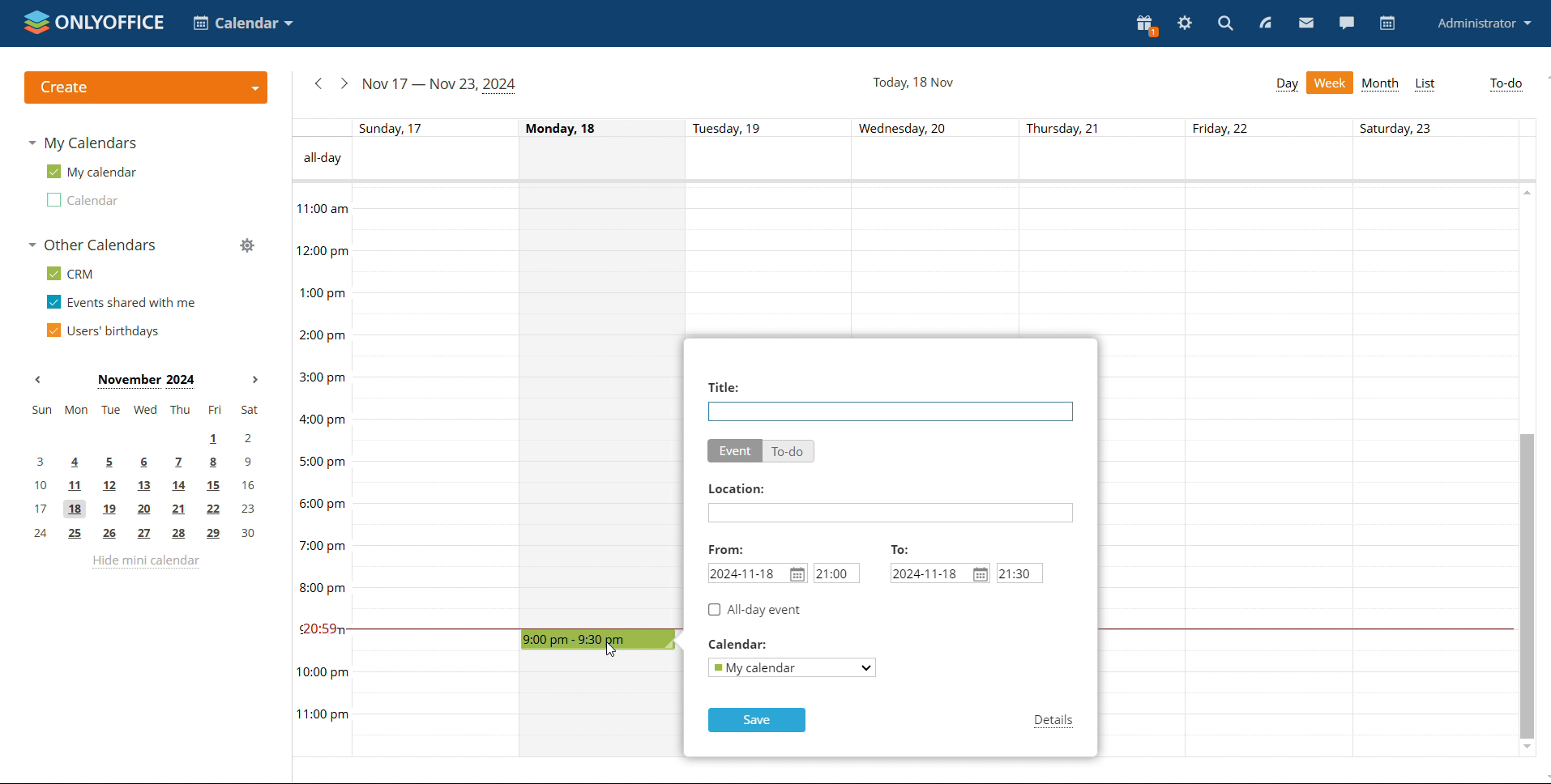 The image size is (1551, 784). What do you see at coordinates (1382, 84) in the screenshot?
I see `month` at bounding box center [1382, 84].